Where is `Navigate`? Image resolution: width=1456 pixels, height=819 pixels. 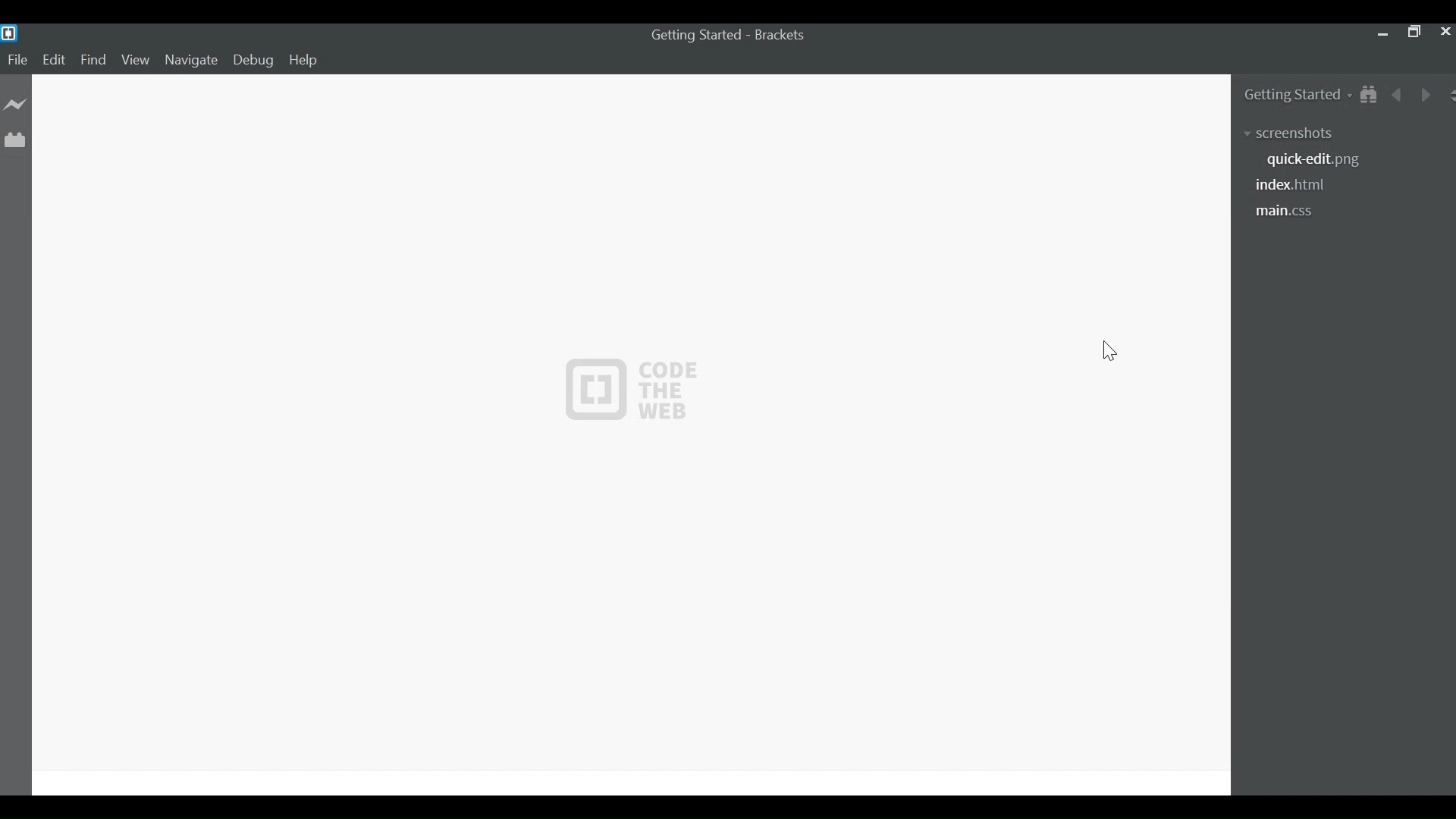
Navigate is located at coordinates (193, 61).